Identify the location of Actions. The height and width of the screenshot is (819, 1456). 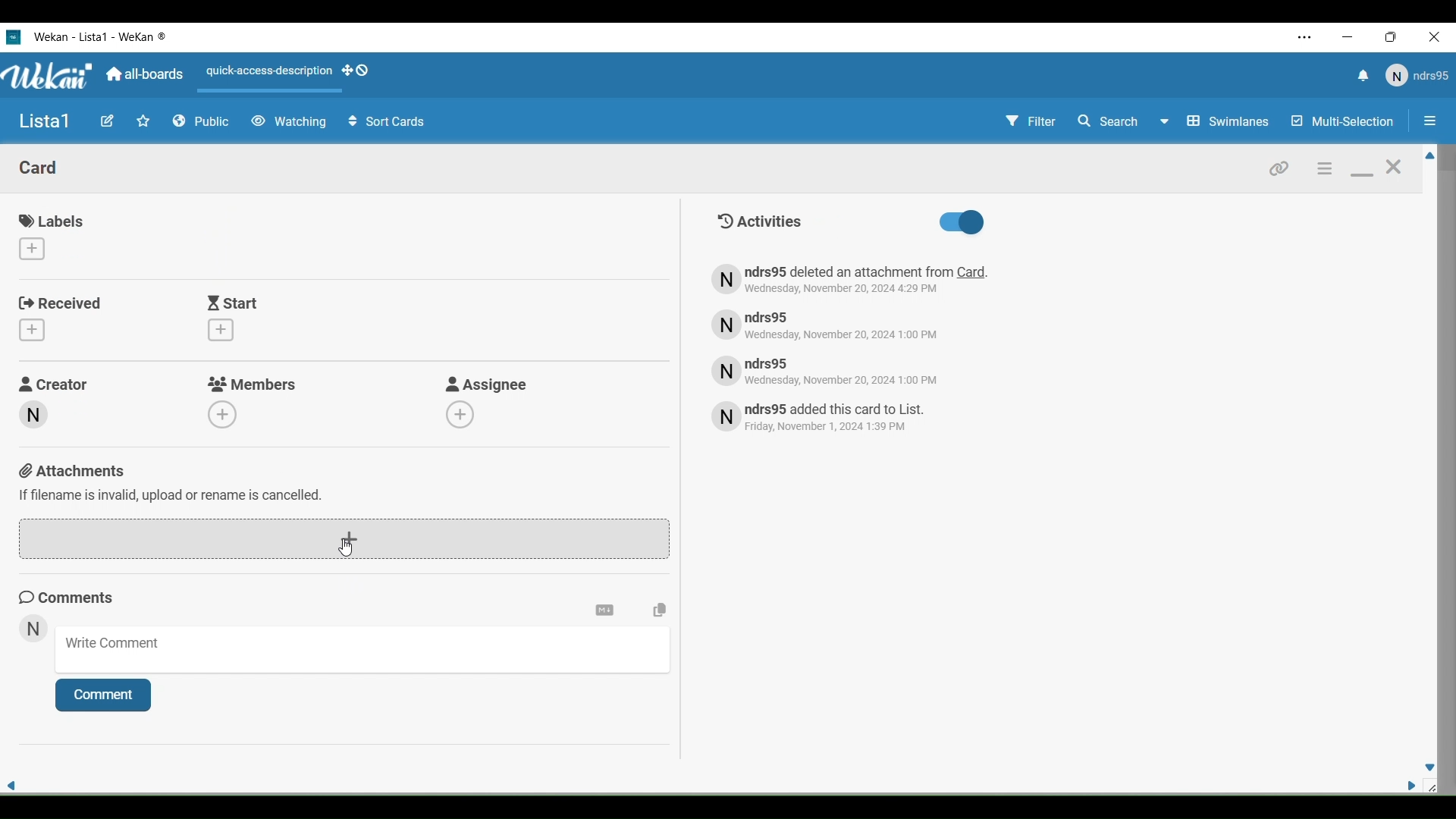
(293, 75).